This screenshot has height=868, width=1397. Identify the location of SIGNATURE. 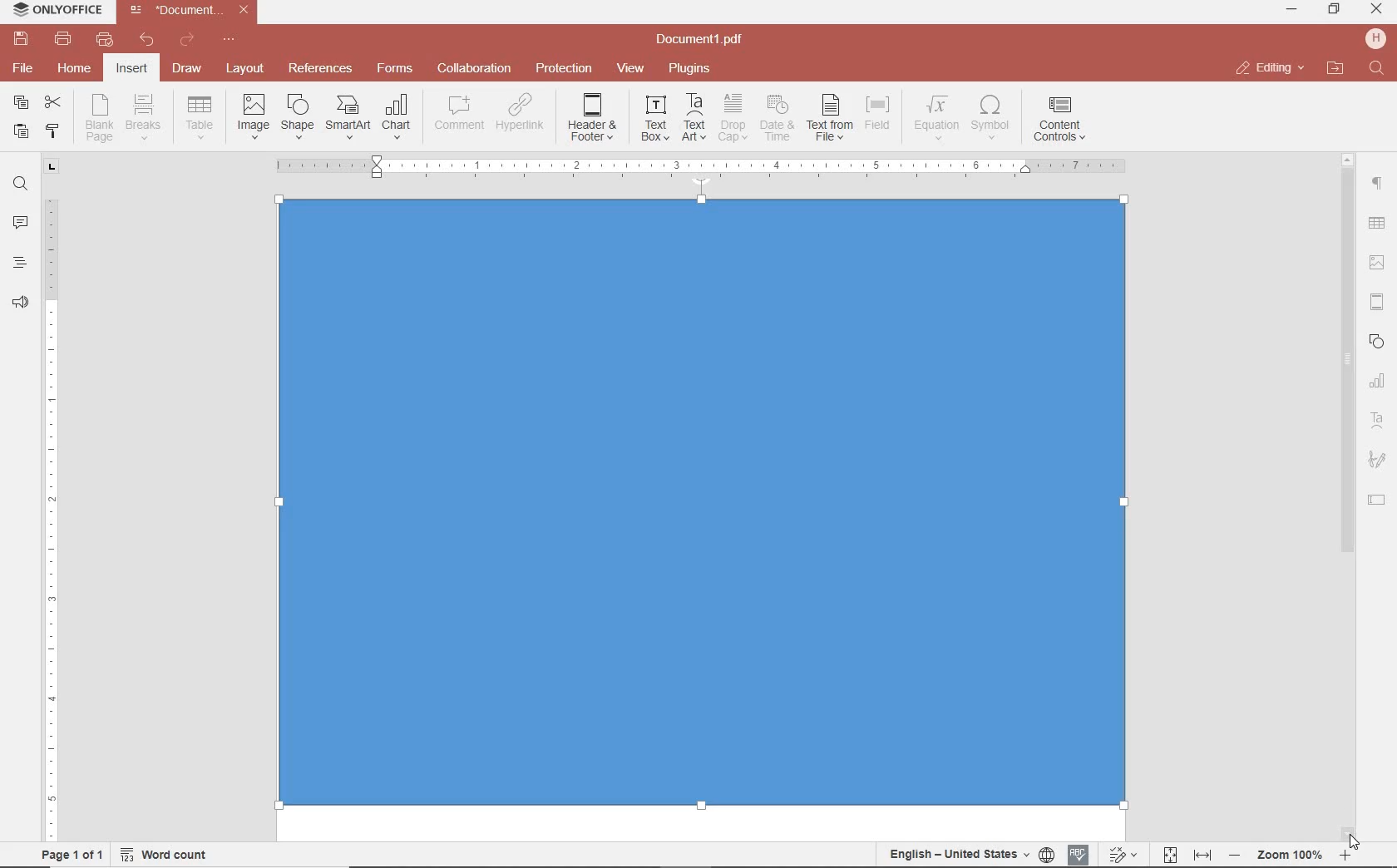
(1377, 461).